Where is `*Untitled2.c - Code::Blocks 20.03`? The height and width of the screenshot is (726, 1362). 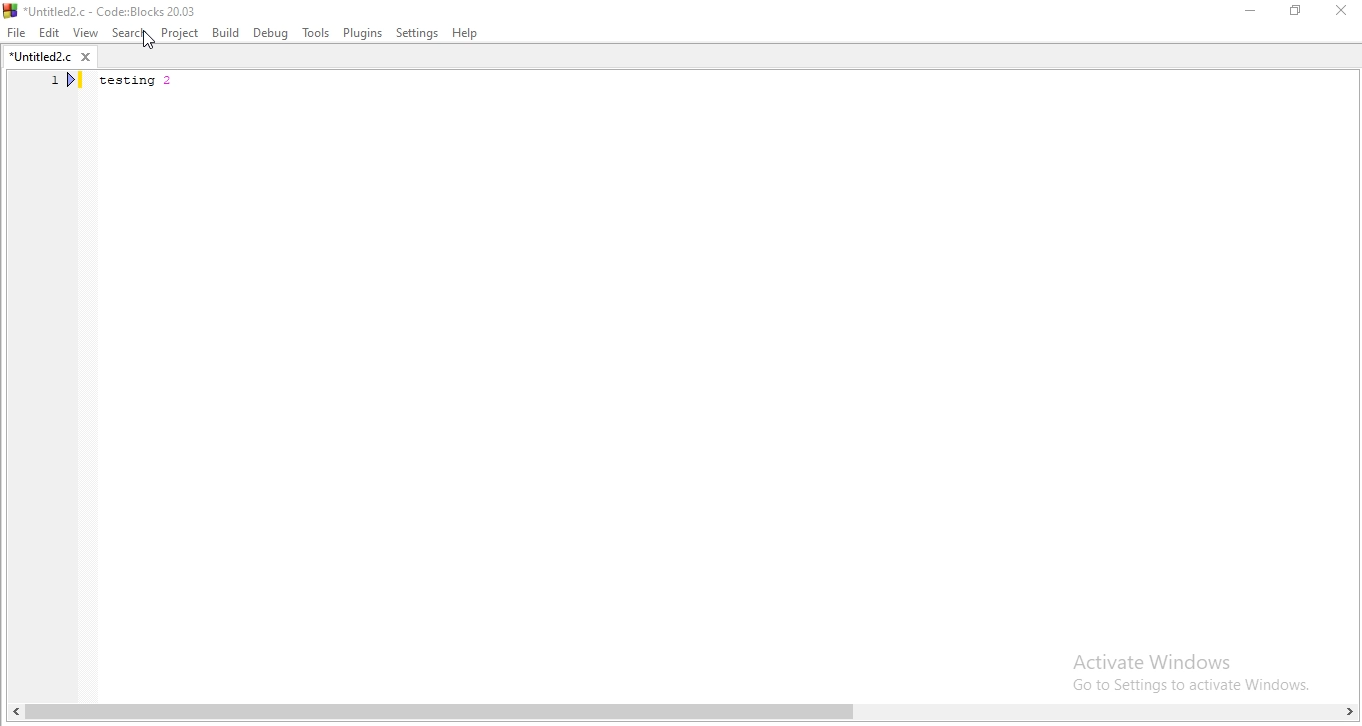
*Untitled2.c - Code::Blocks 20.03 is located at coordinates (121, 9).